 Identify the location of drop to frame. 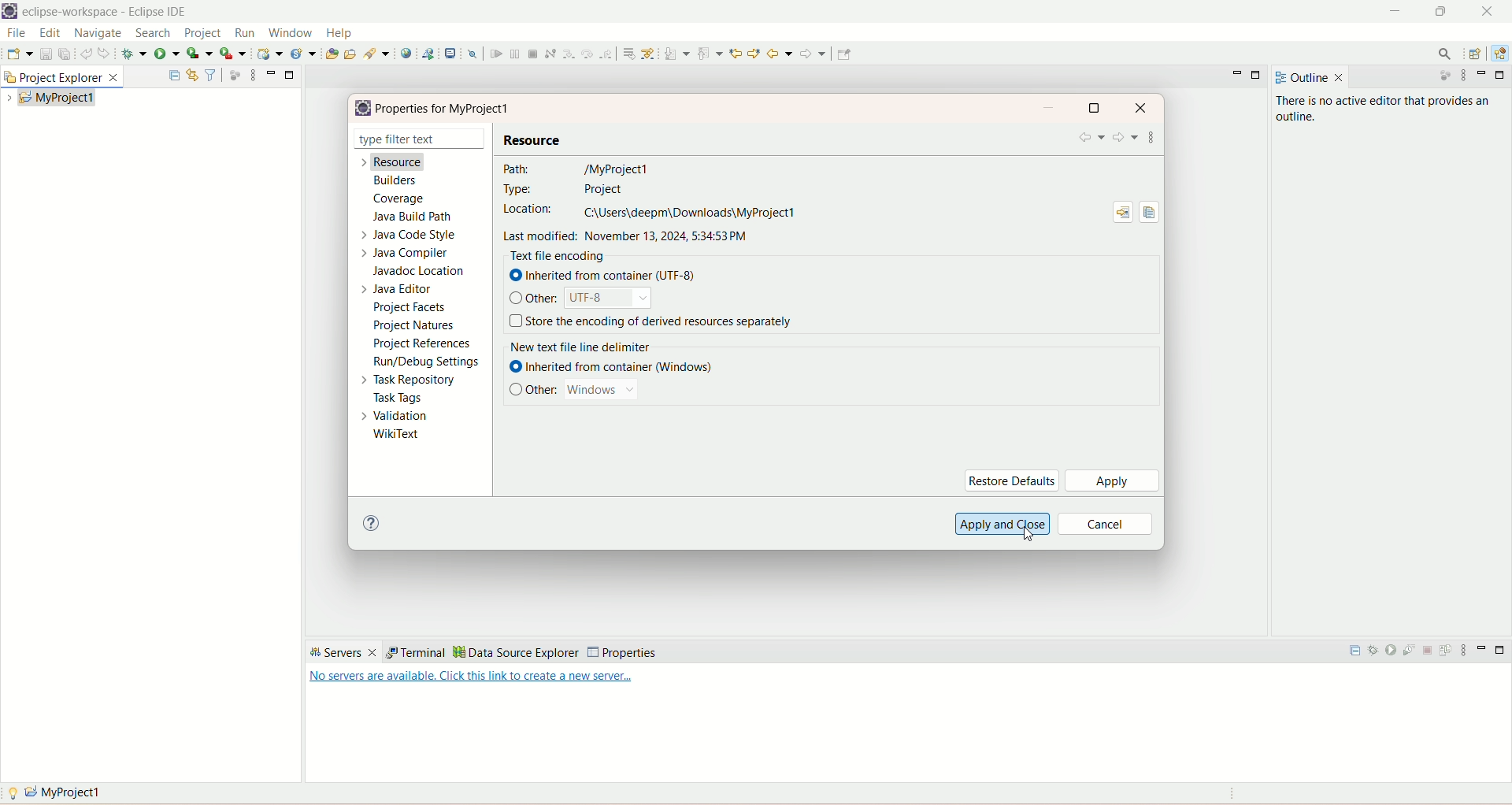
(630, 54).